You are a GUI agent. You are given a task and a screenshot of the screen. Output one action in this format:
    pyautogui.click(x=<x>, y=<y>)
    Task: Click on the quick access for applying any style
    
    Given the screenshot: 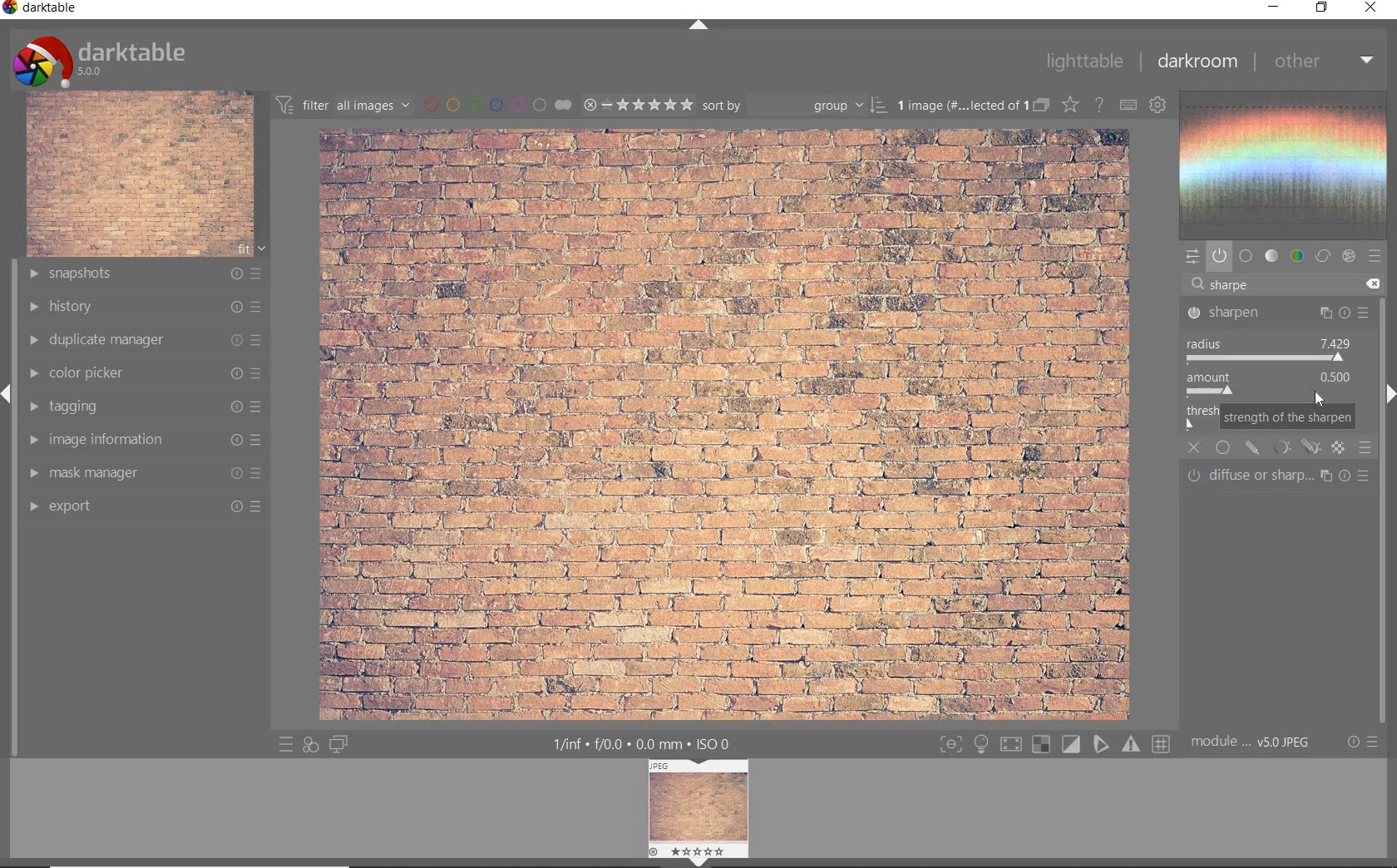 What is the action you would take?
    pyautogui.click(x=309, y=747)
    